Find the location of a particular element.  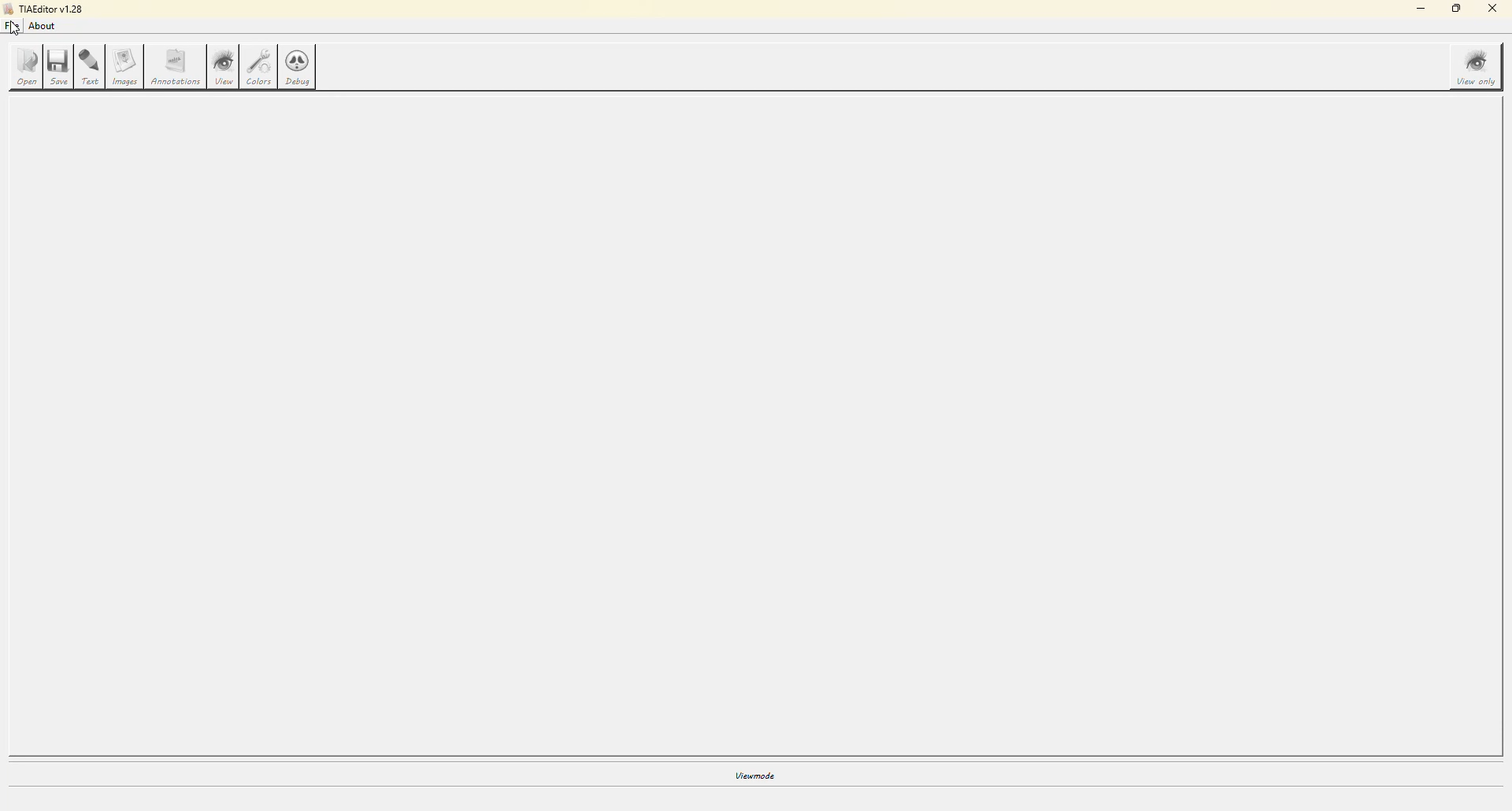

debug is located at coordinates (299, 68).